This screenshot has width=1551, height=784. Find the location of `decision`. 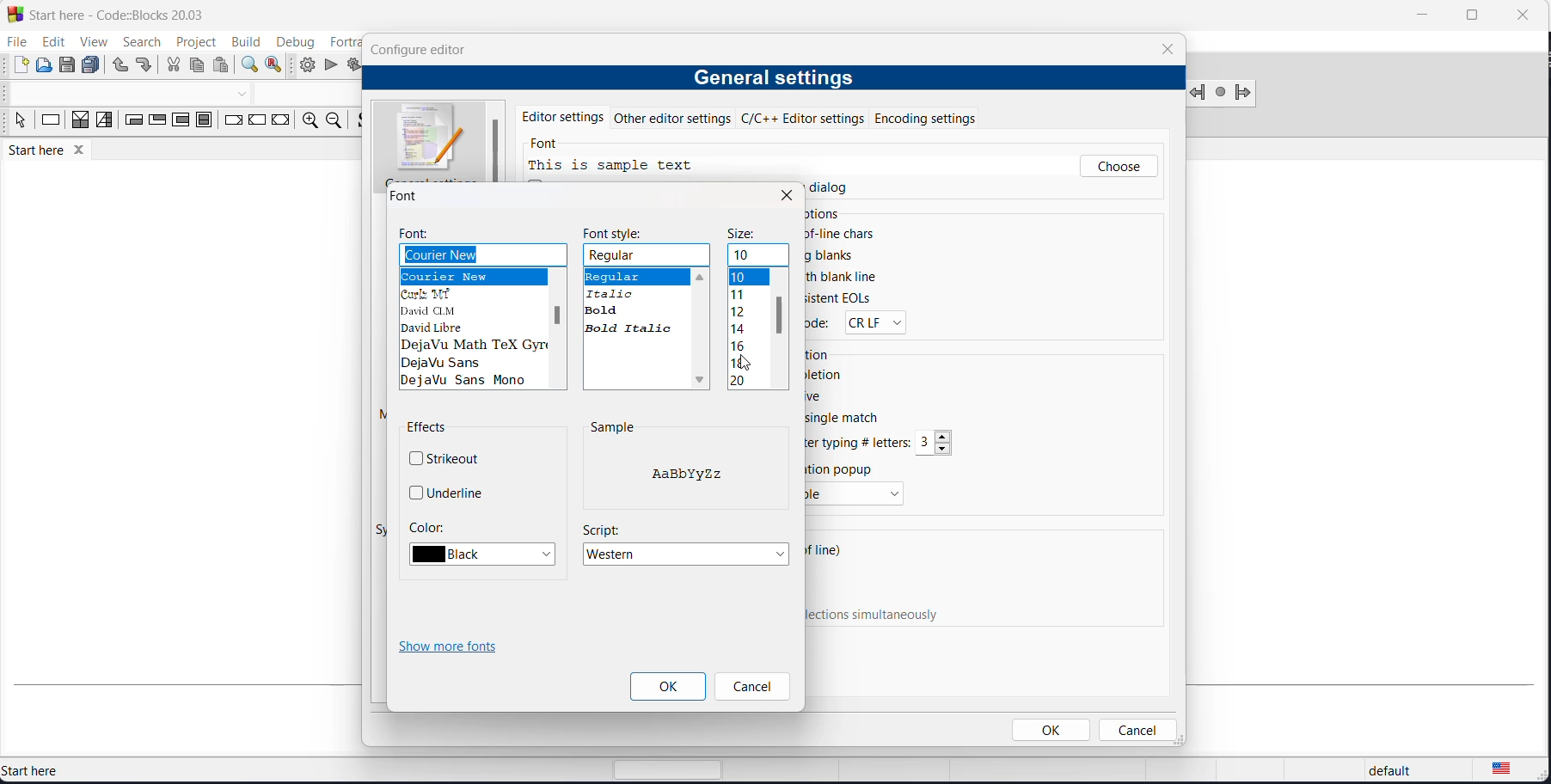

decision is located at coordinates (81, 124).